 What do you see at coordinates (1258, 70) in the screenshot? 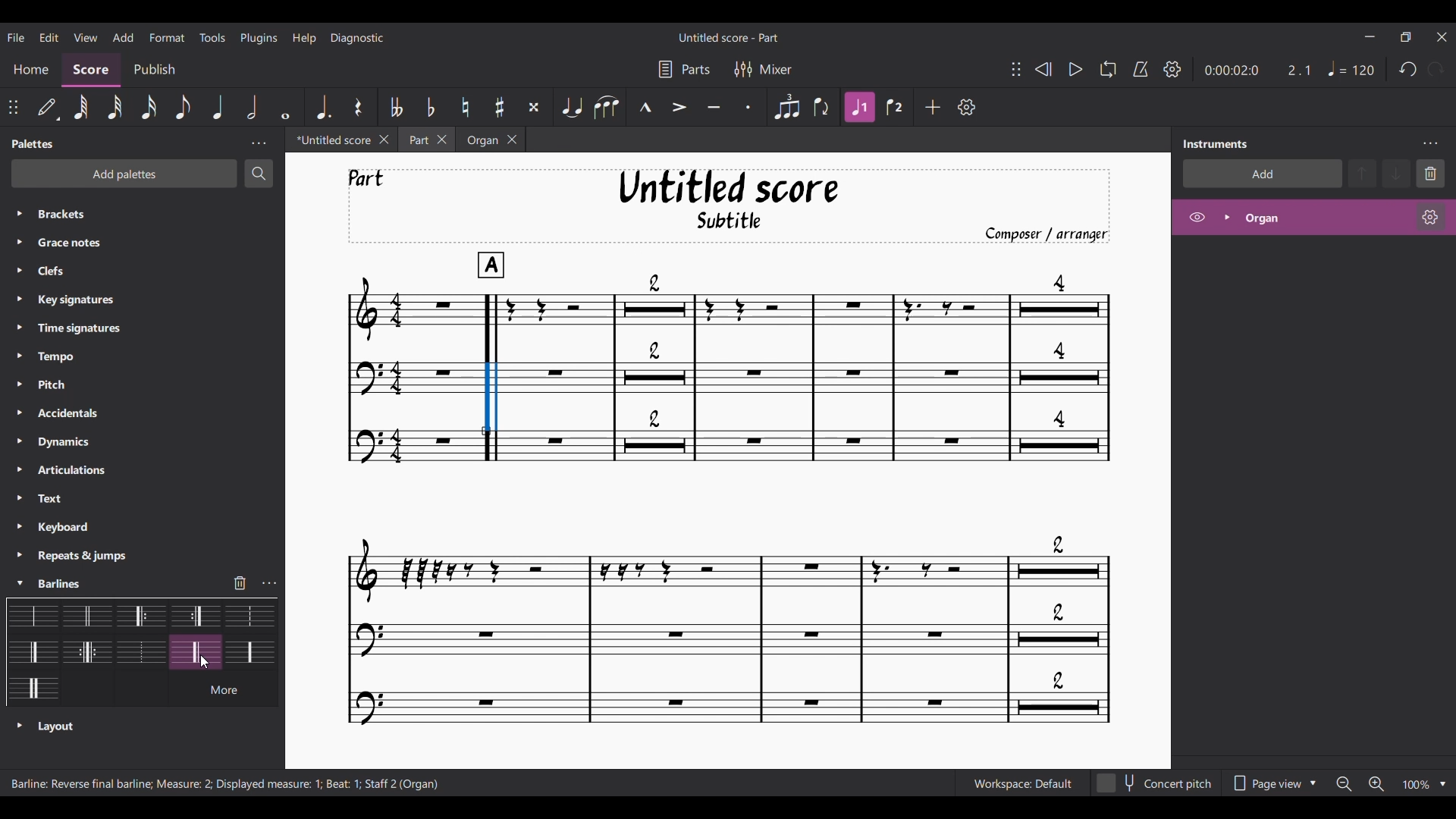
I see `Current ratio and duration of score` at bounding box center [1258, 70].